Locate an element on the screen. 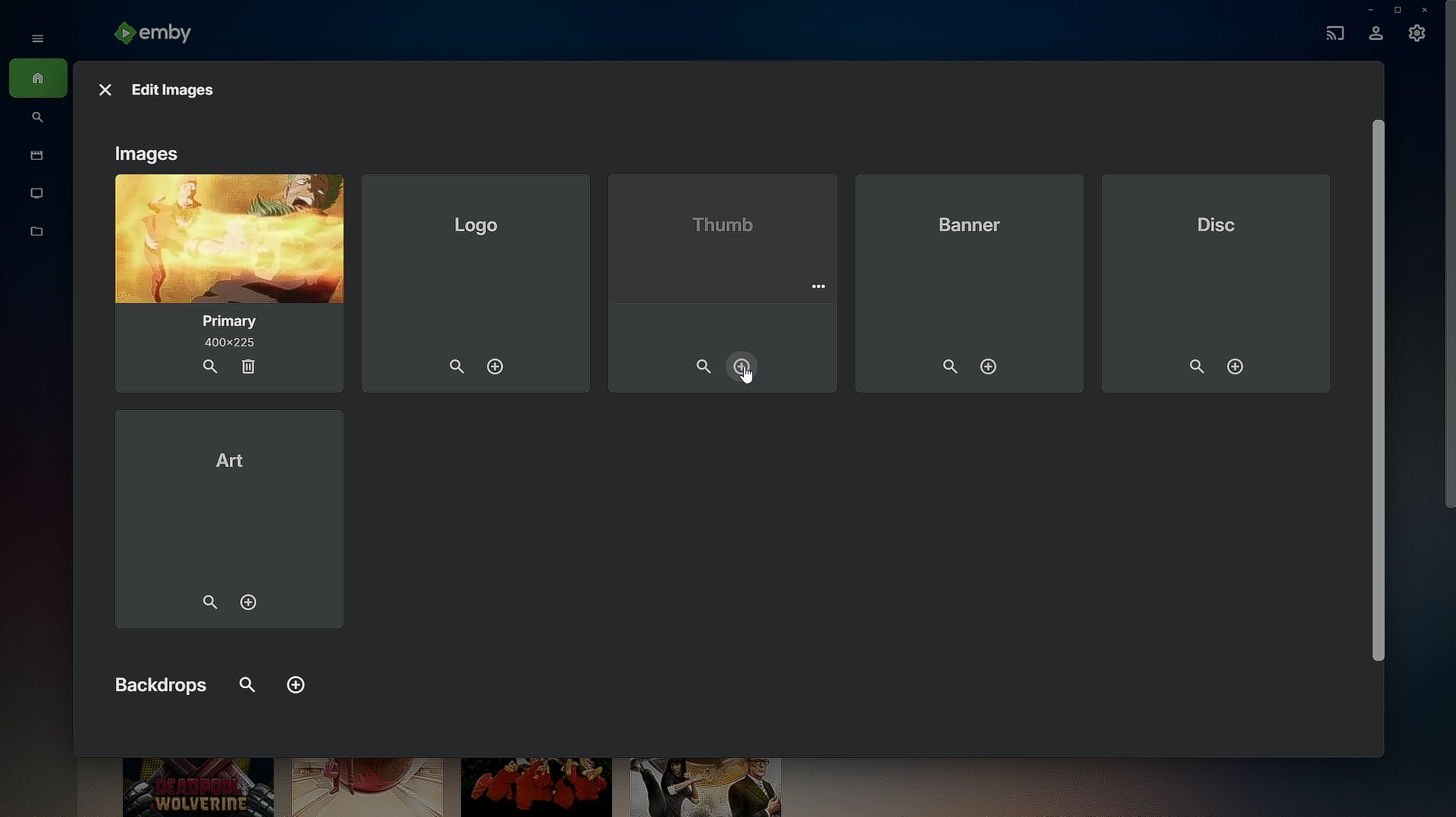 This screenshot has height=817, width=1456. Find is located at coordinates (38, 119).